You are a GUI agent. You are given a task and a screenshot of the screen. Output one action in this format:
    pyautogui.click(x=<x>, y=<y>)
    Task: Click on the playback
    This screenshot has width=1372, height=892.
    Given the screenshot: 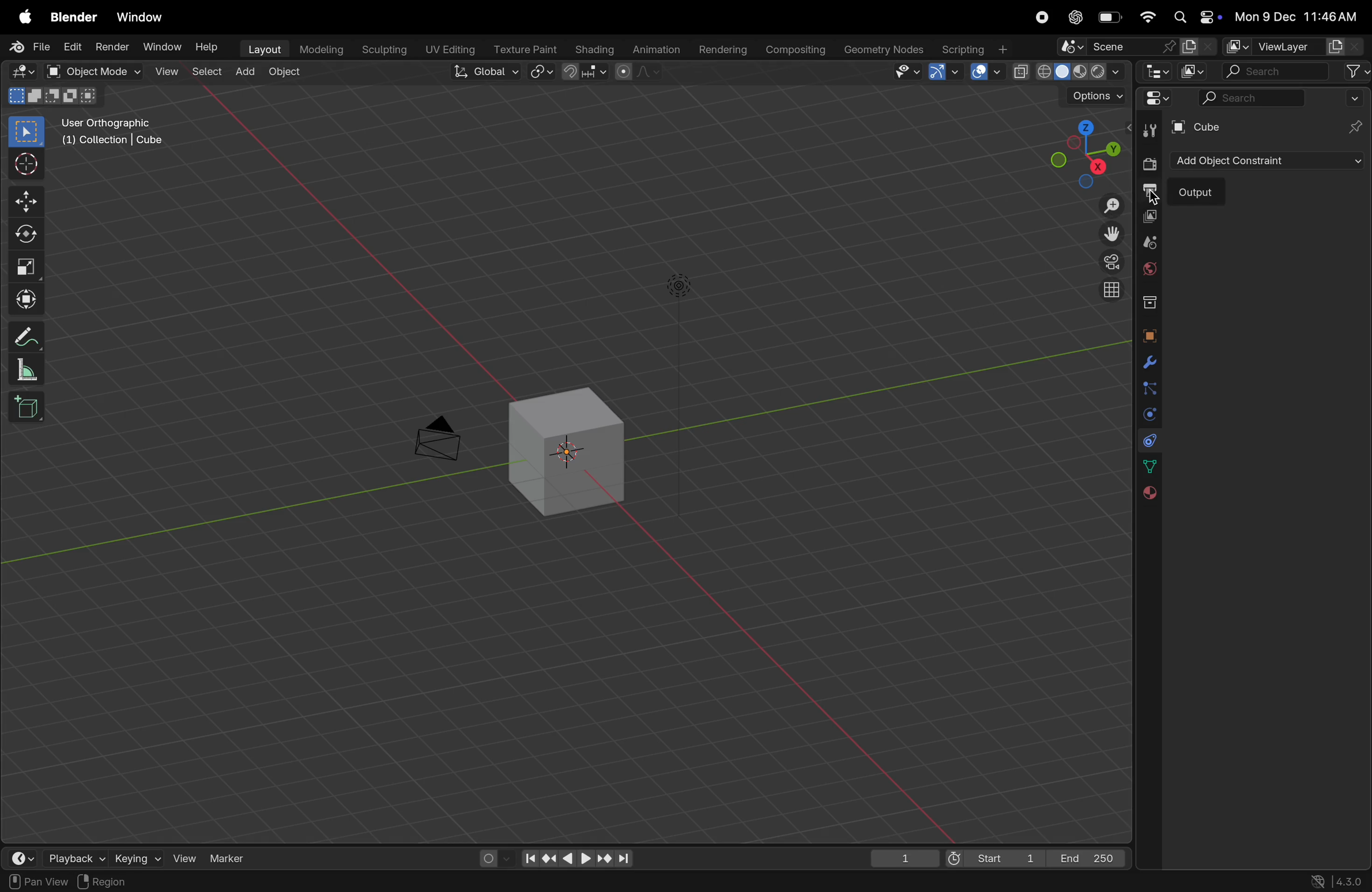 What is the action you would take?
    pyautogui.click(x=77, y=856)
    